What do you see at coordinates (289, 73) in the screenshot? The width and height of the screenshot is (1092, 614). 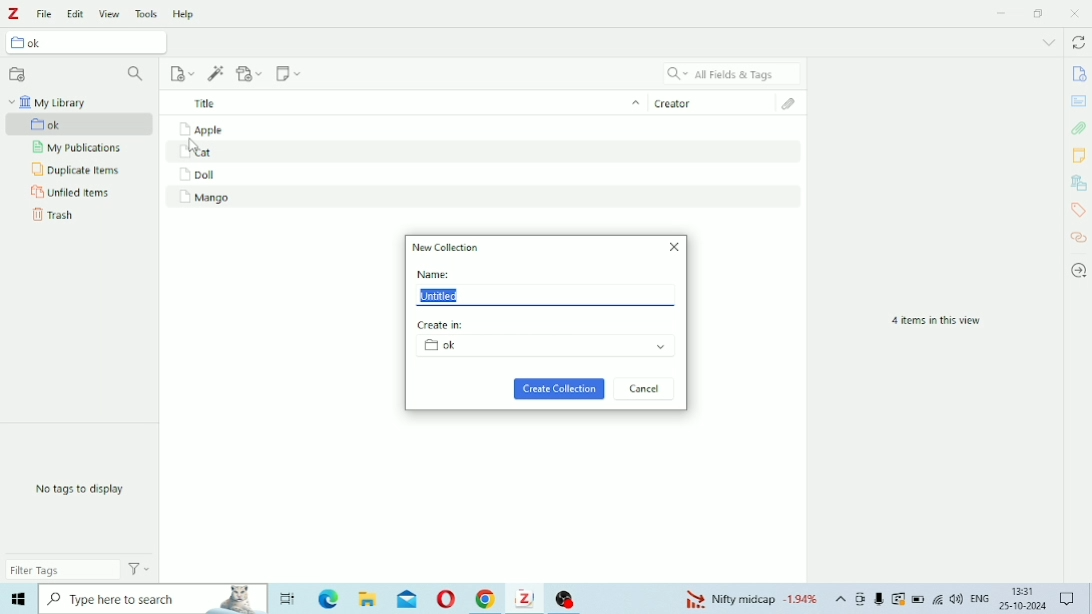 I see `New Note` at bounding box center [289, 73].